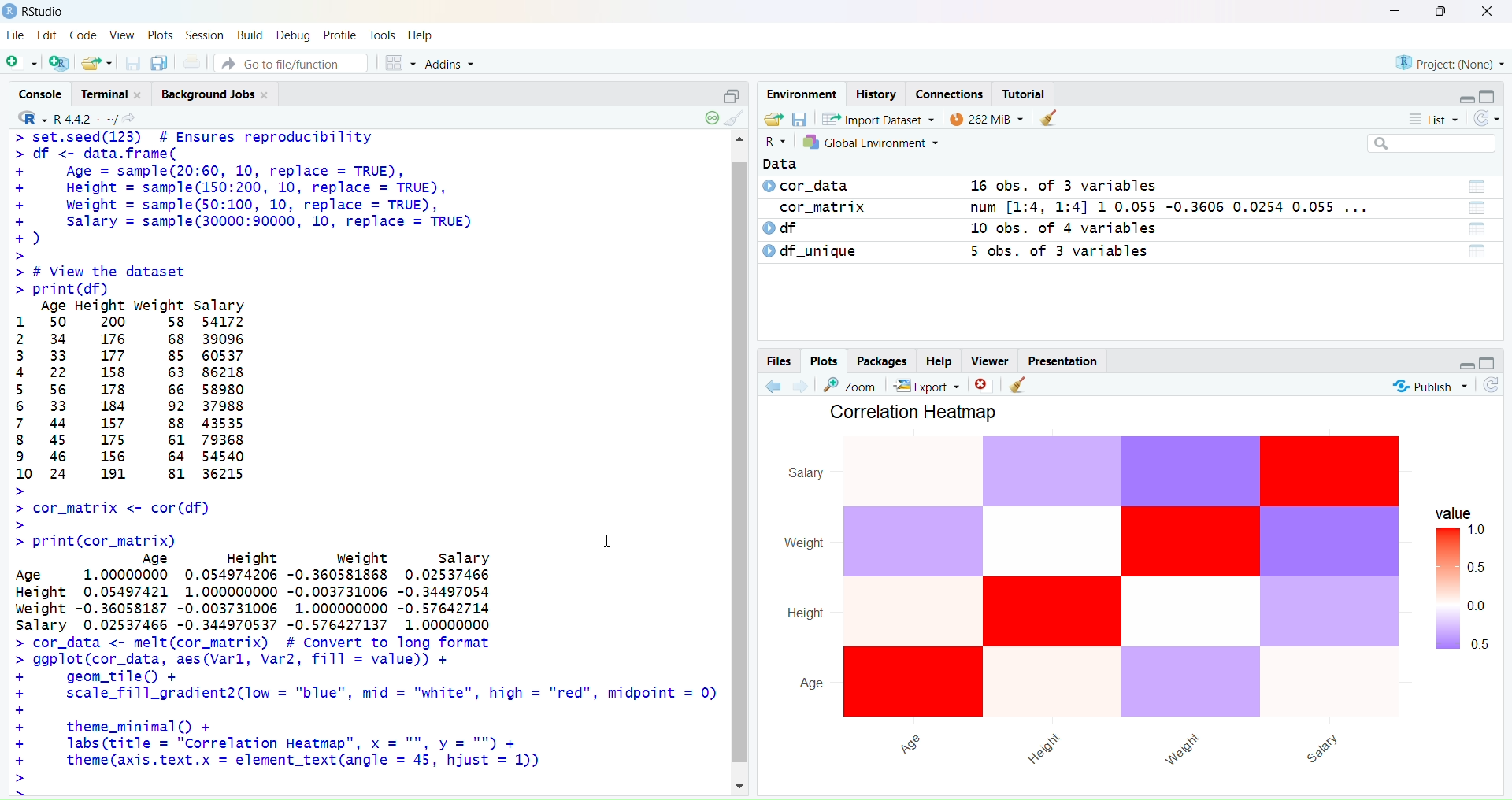 The image size is (1512, 800). What do you see at coordinates (87, 117) in the screenshot?
I see `R442/ ~/` at bounding box center [87, 117].